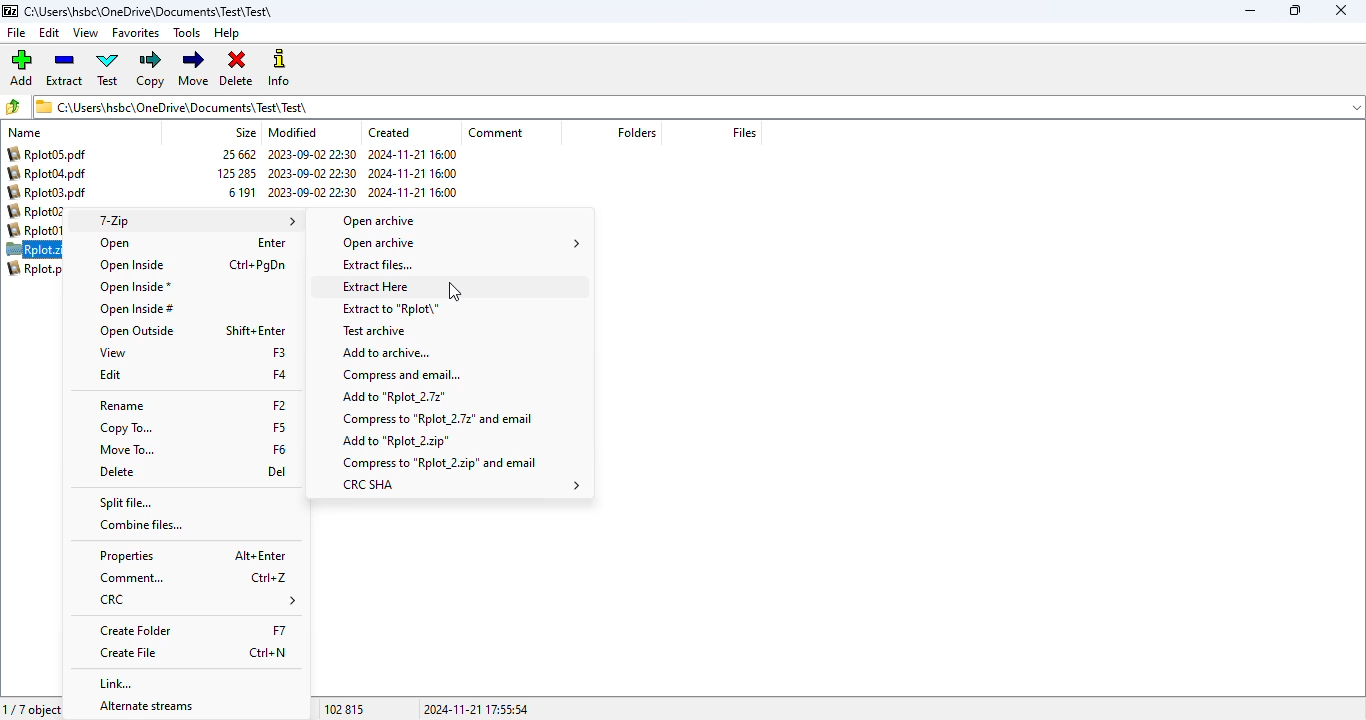  Describe the element at coordinates (1250, 11) in the screenshot. I see `minimize` at that location.